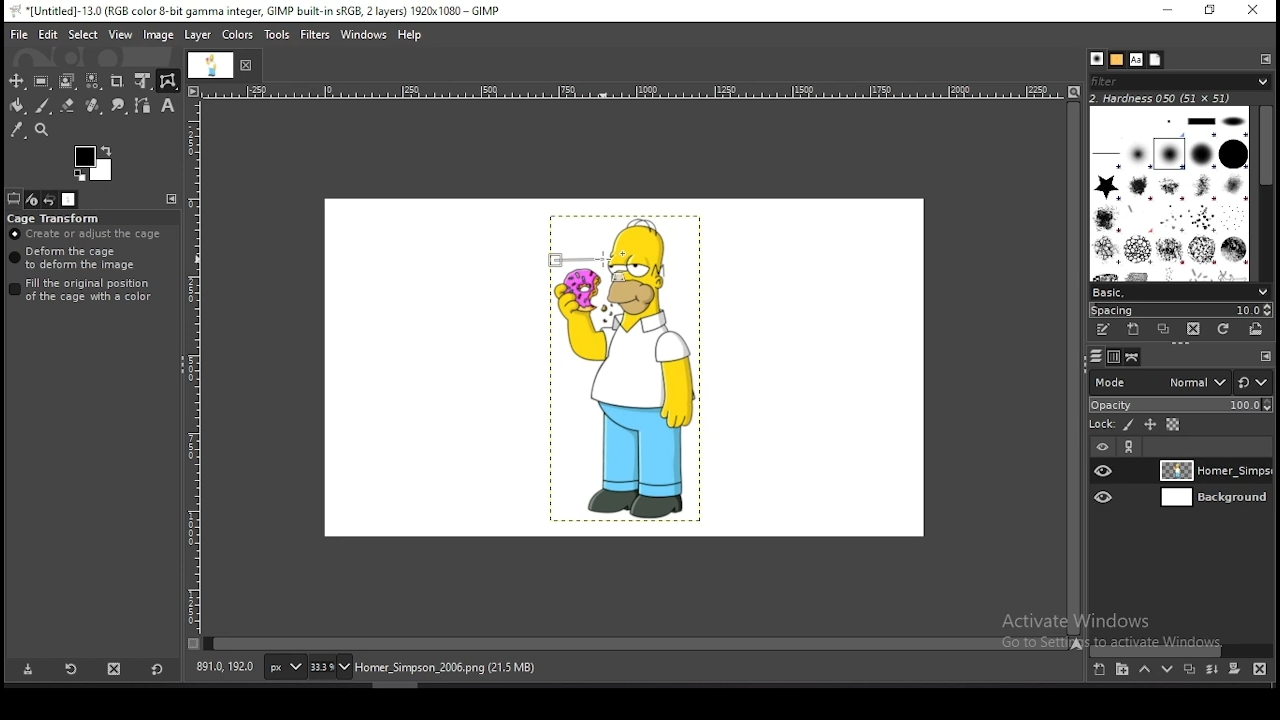 The height and width of the screenshot is (720, 1280). What do you see at coordinates (1155, 381) in the screenshot?
I see `blend mode` at bounding box center [1155, 381].